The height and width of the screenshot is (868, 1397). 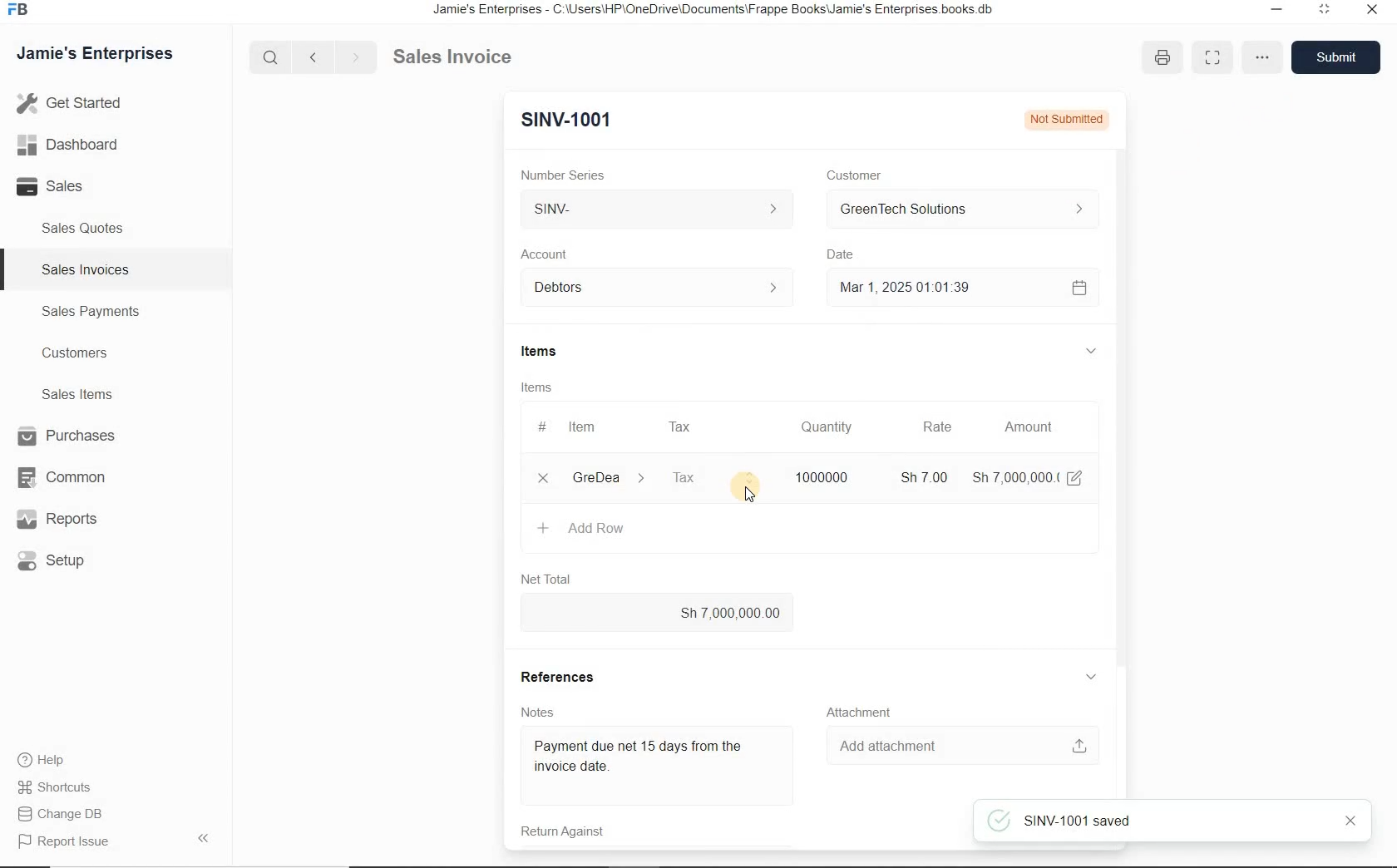 I want to click on 1, so click(x=543, y=478).